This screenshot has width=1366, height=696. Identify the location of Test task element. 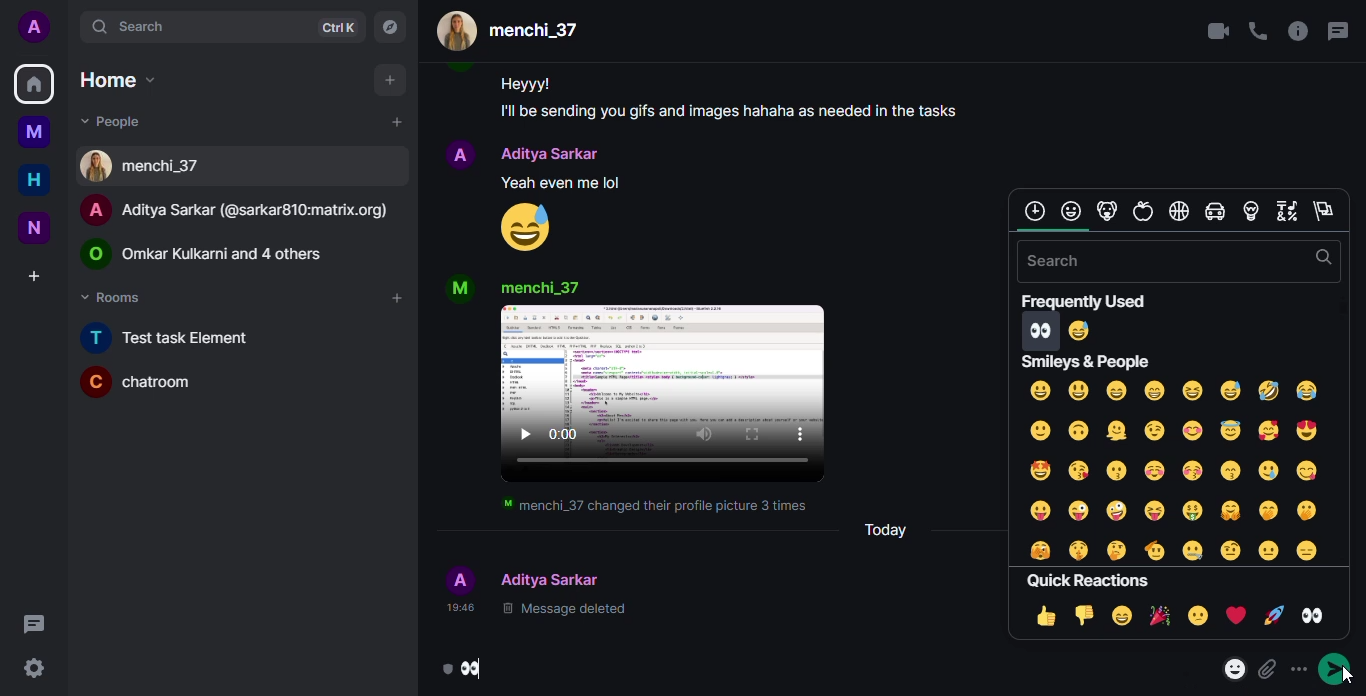
(179, 337).